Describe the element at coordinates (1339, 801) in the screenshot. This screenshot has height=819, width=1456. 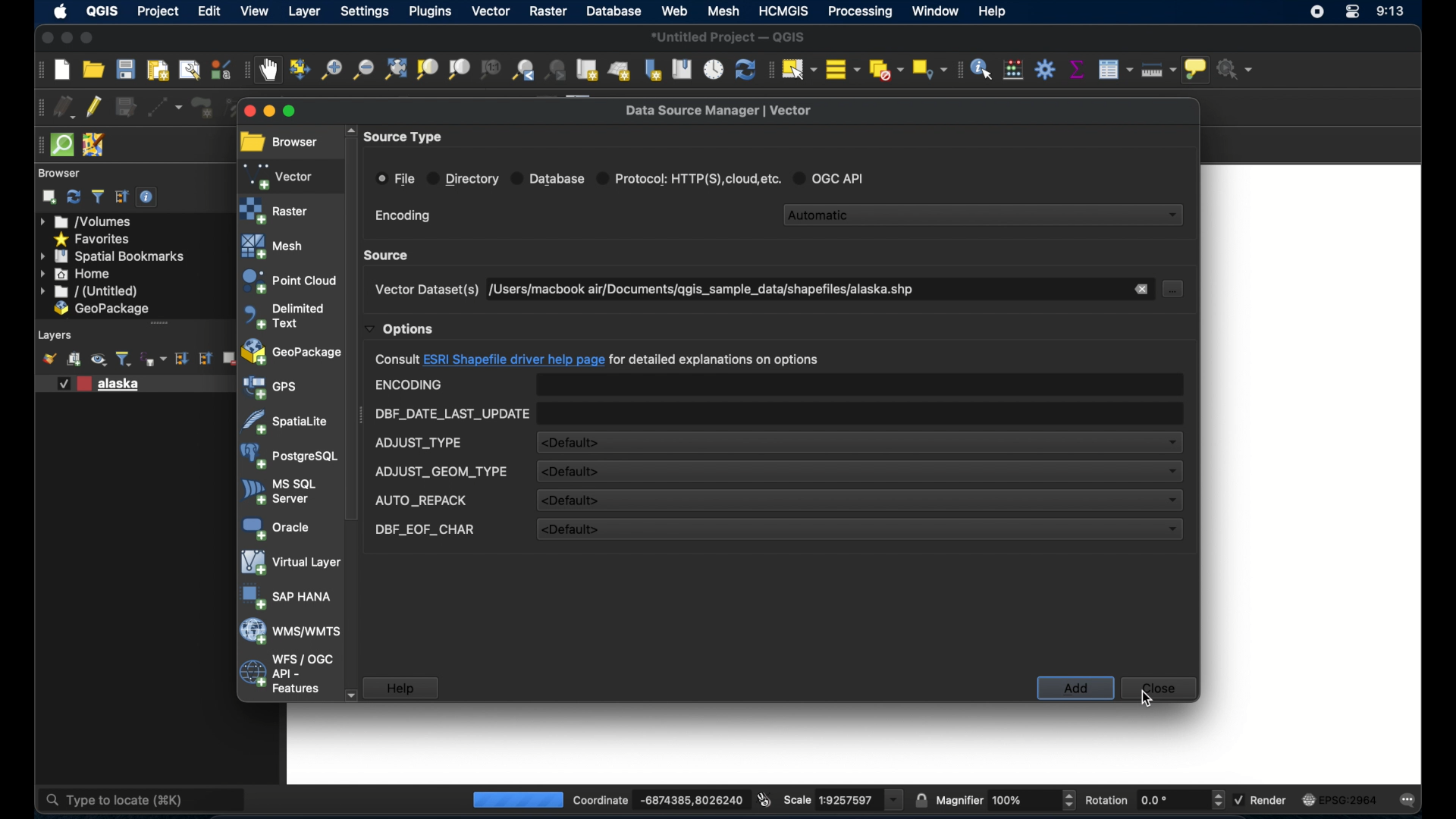
I see `current crs` at that location.